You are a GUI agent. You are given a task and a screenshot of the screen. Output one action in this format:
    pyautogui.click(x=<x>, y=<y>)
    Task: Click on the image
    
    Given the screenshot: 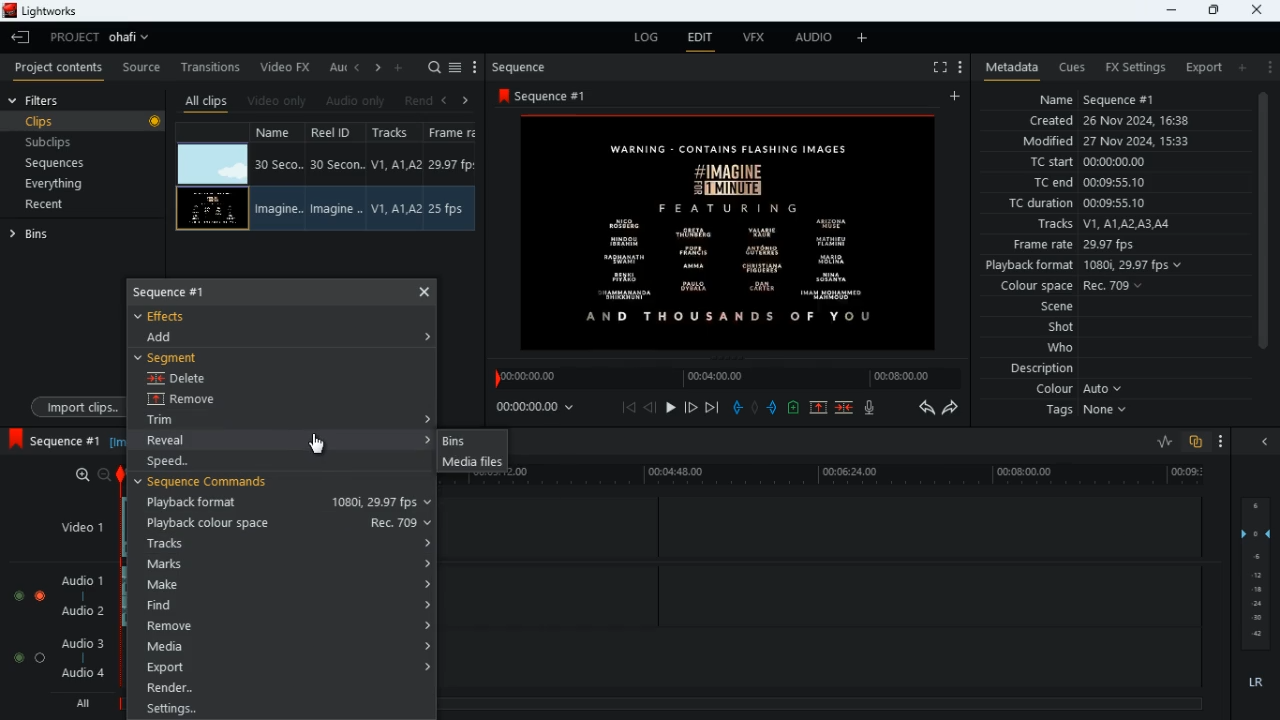 What is the action you would take?
    pyautogui.click(x=733, y=232)
    